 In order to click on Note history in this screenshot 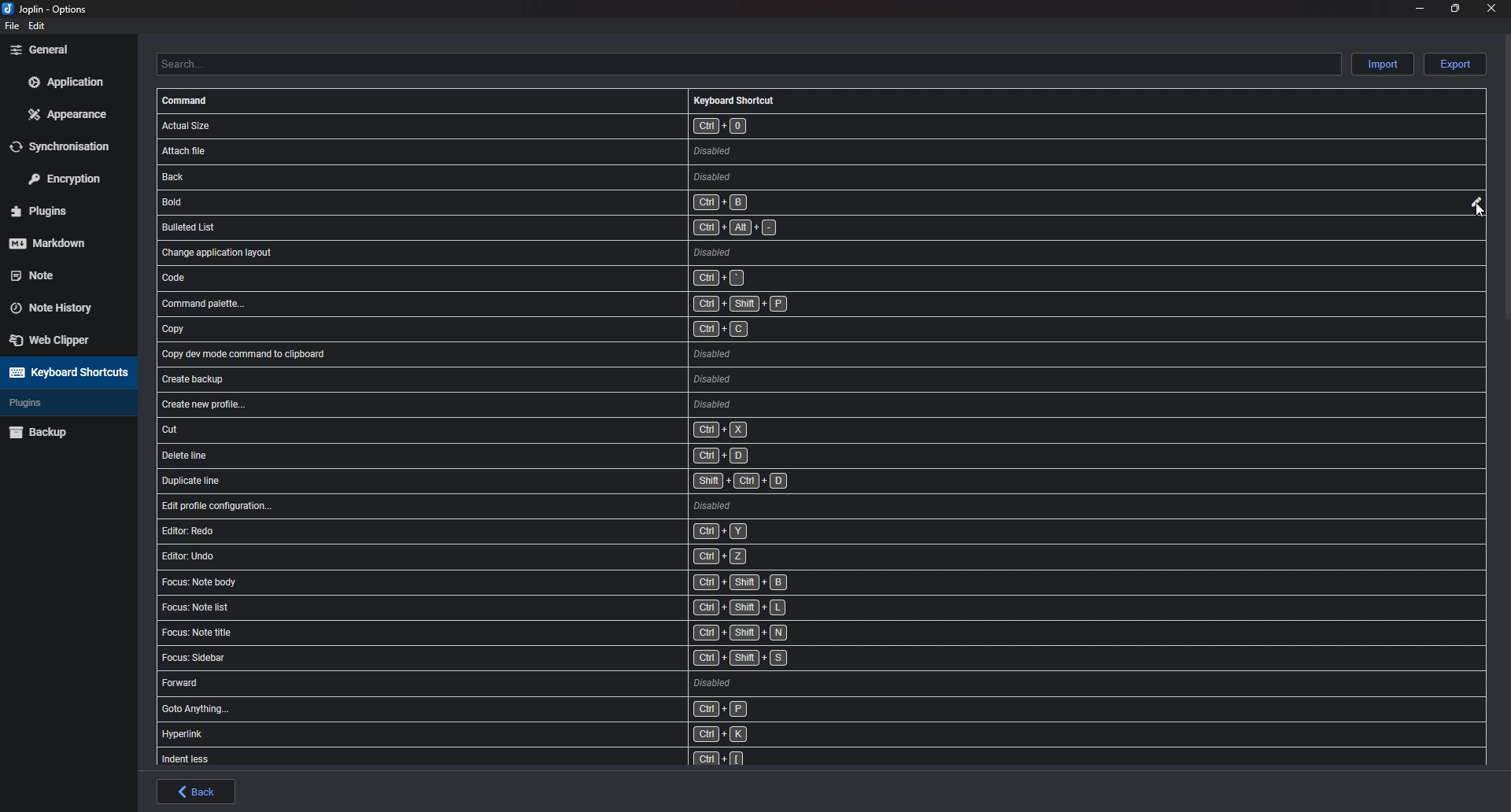, I will do `click(60, 303)`.